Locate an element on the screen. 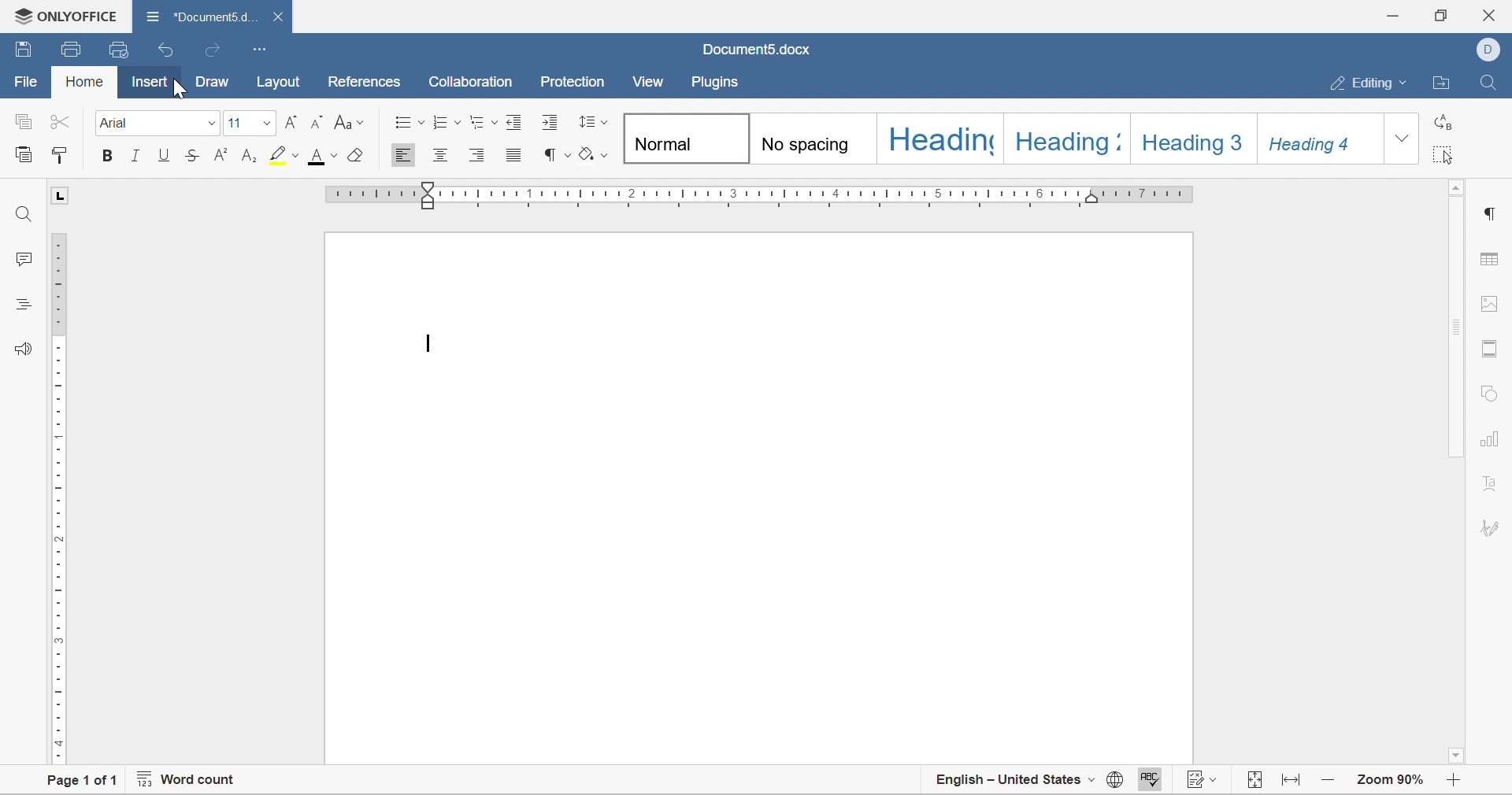 The width and height of the screenshot is (1512, 795). decrease indent is located at coordinates (513, 122).